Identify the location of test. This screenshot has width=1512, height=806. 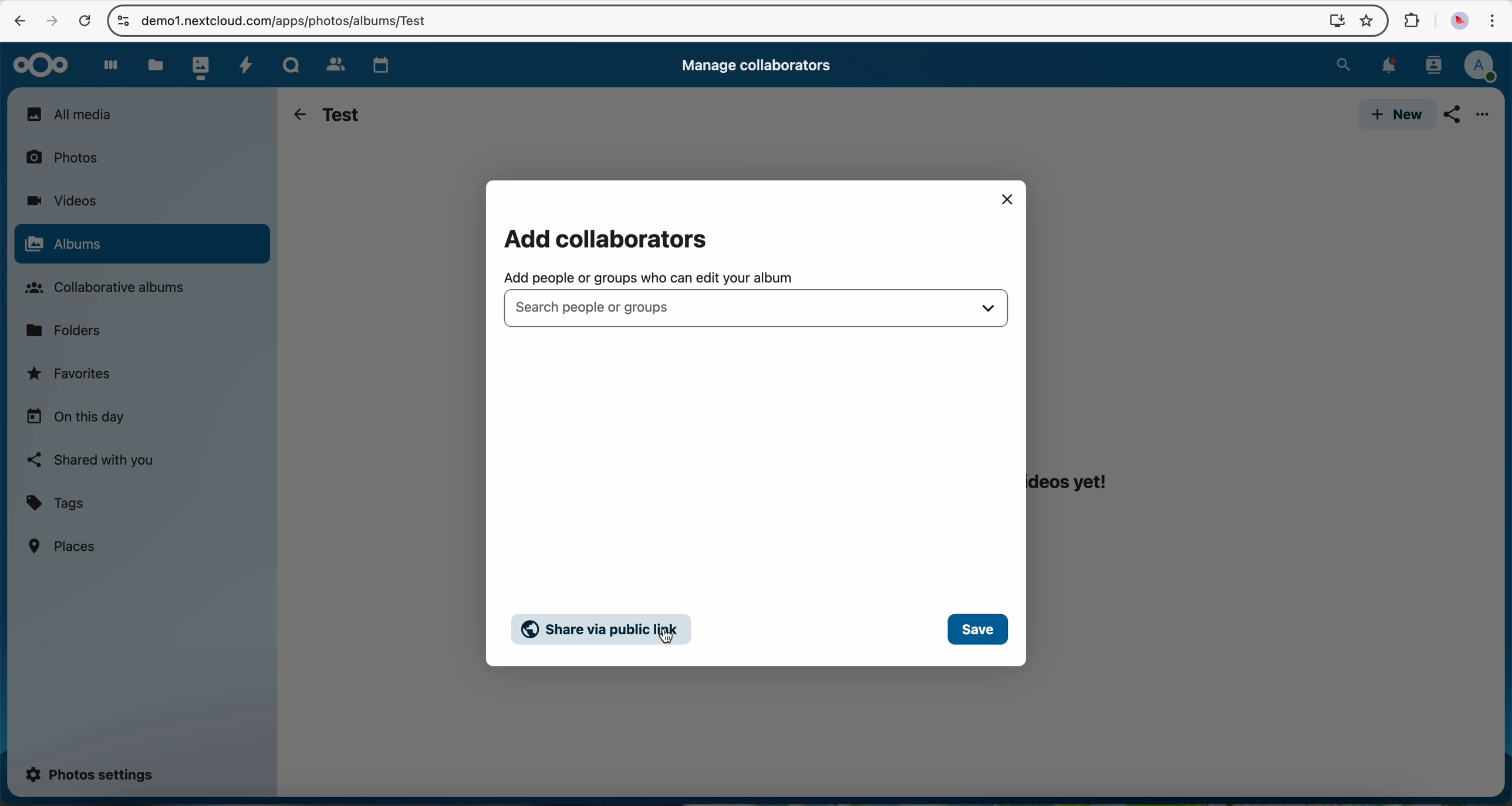
(342, 113).